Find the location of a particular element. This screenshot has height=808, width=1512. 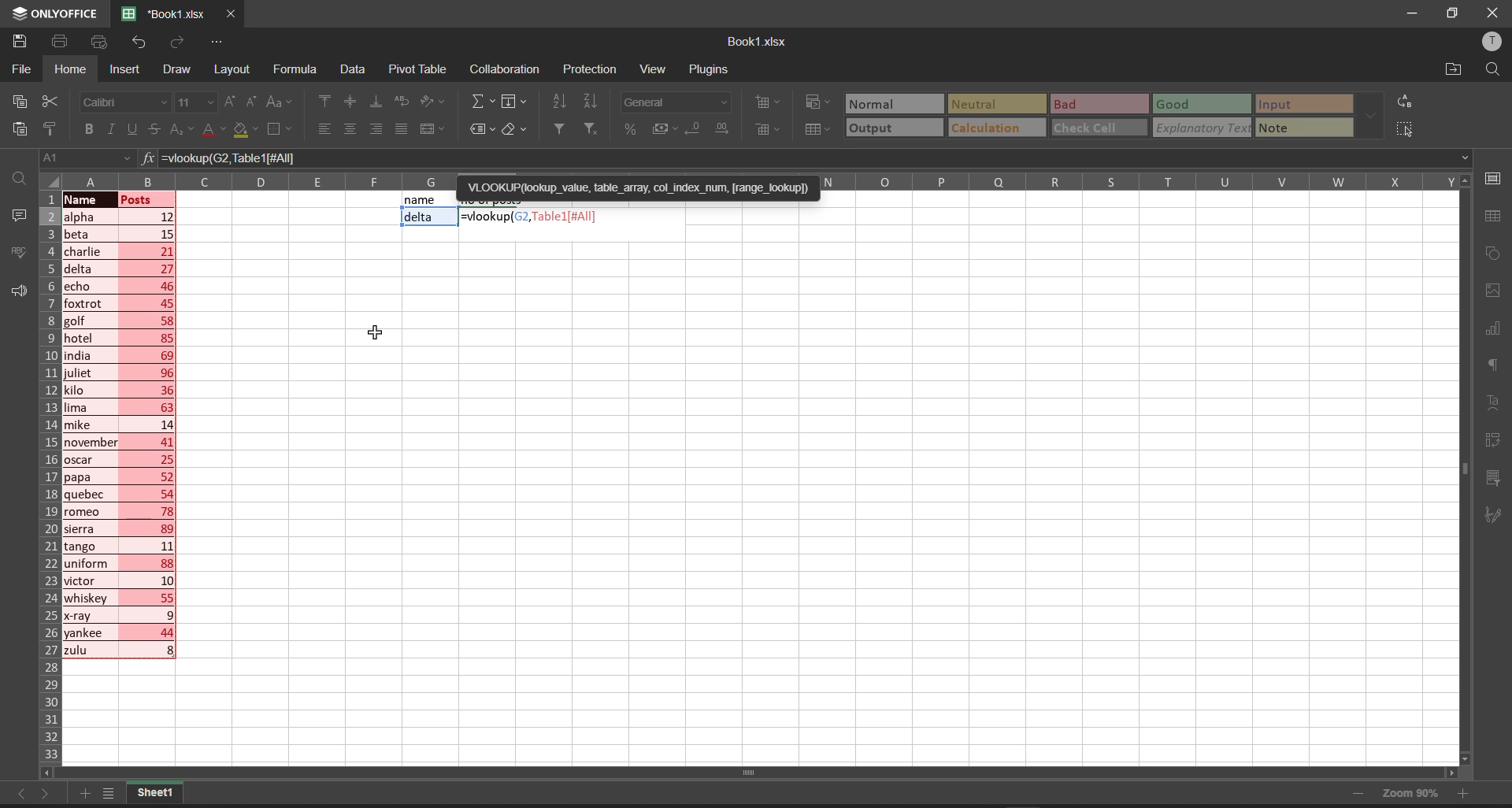

close workbook is located at coordinates (232, 14).